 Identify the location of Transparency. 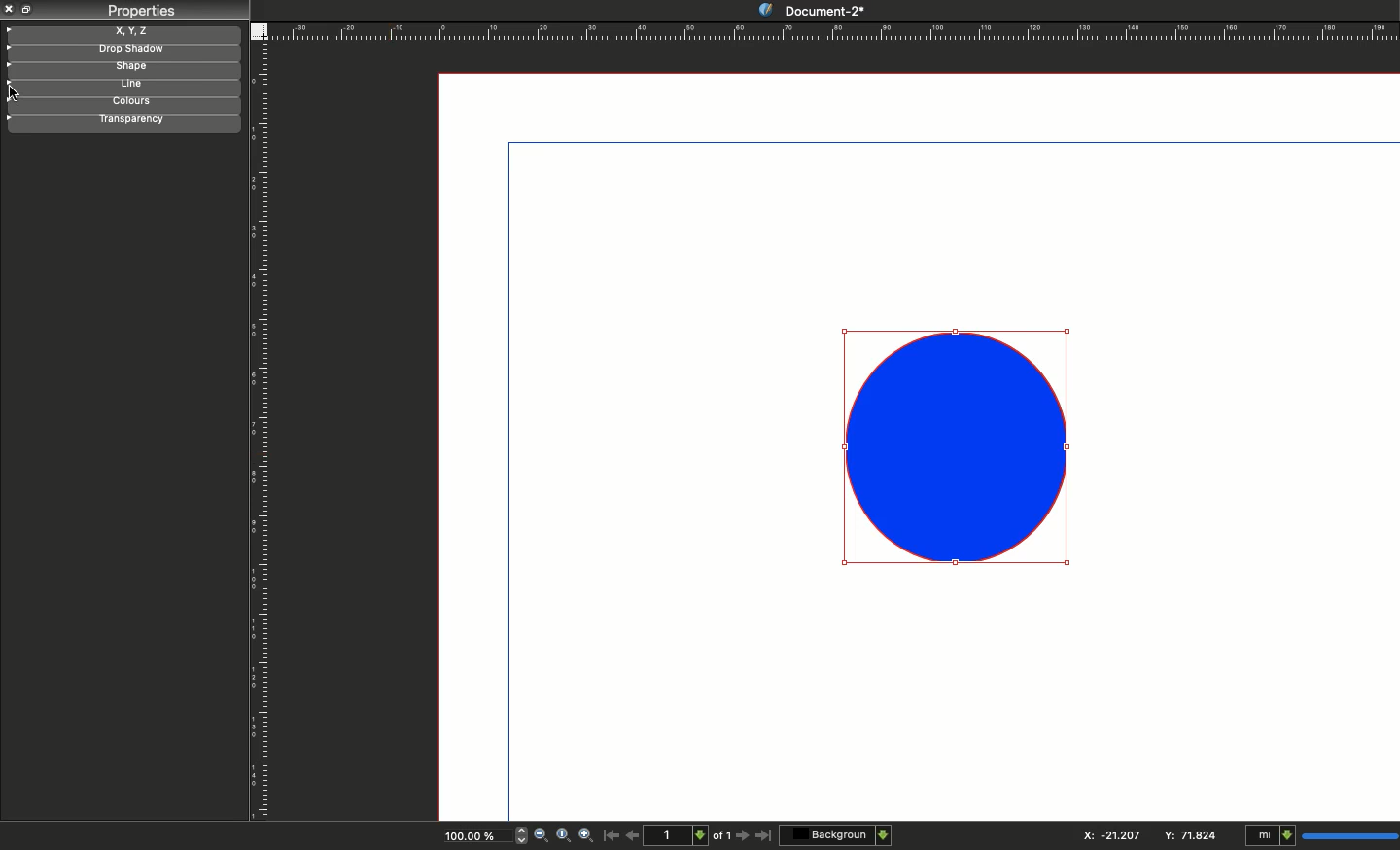
(120, 121).